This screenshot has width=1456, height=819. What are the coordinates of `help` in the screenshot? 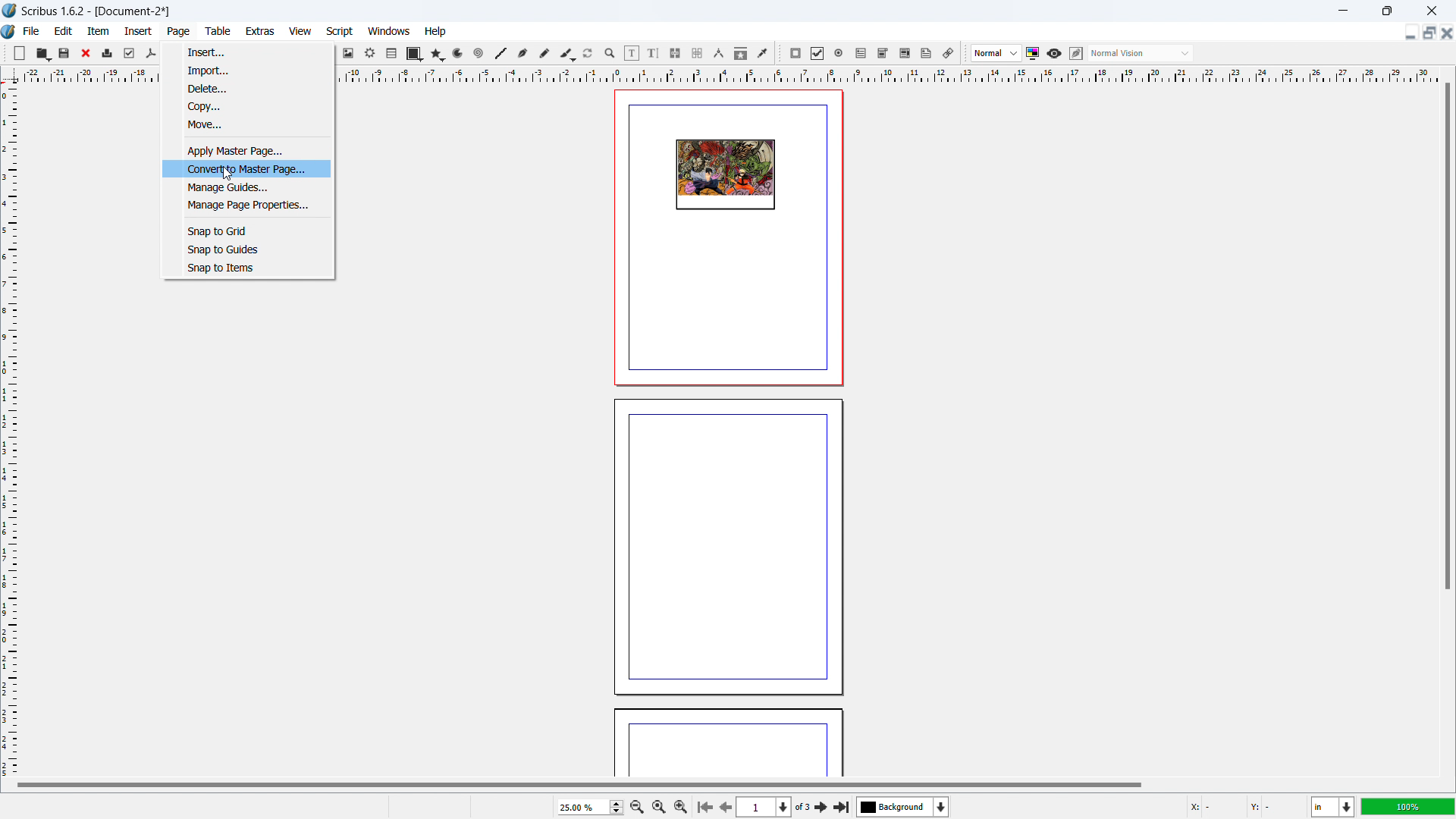 It's located at (436, 32).